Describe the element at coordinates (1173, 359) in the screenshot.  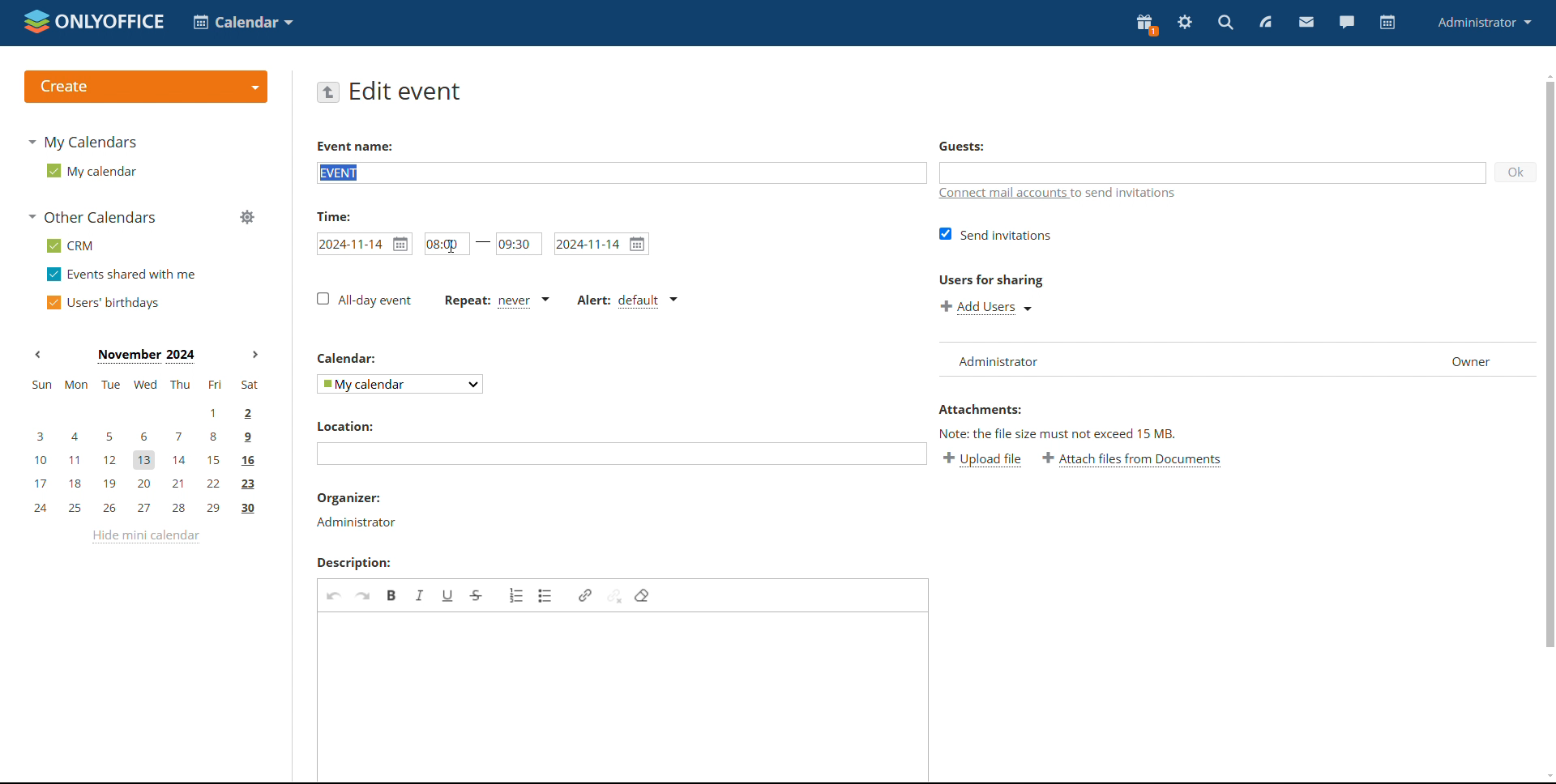
I see `list of users` at that location.